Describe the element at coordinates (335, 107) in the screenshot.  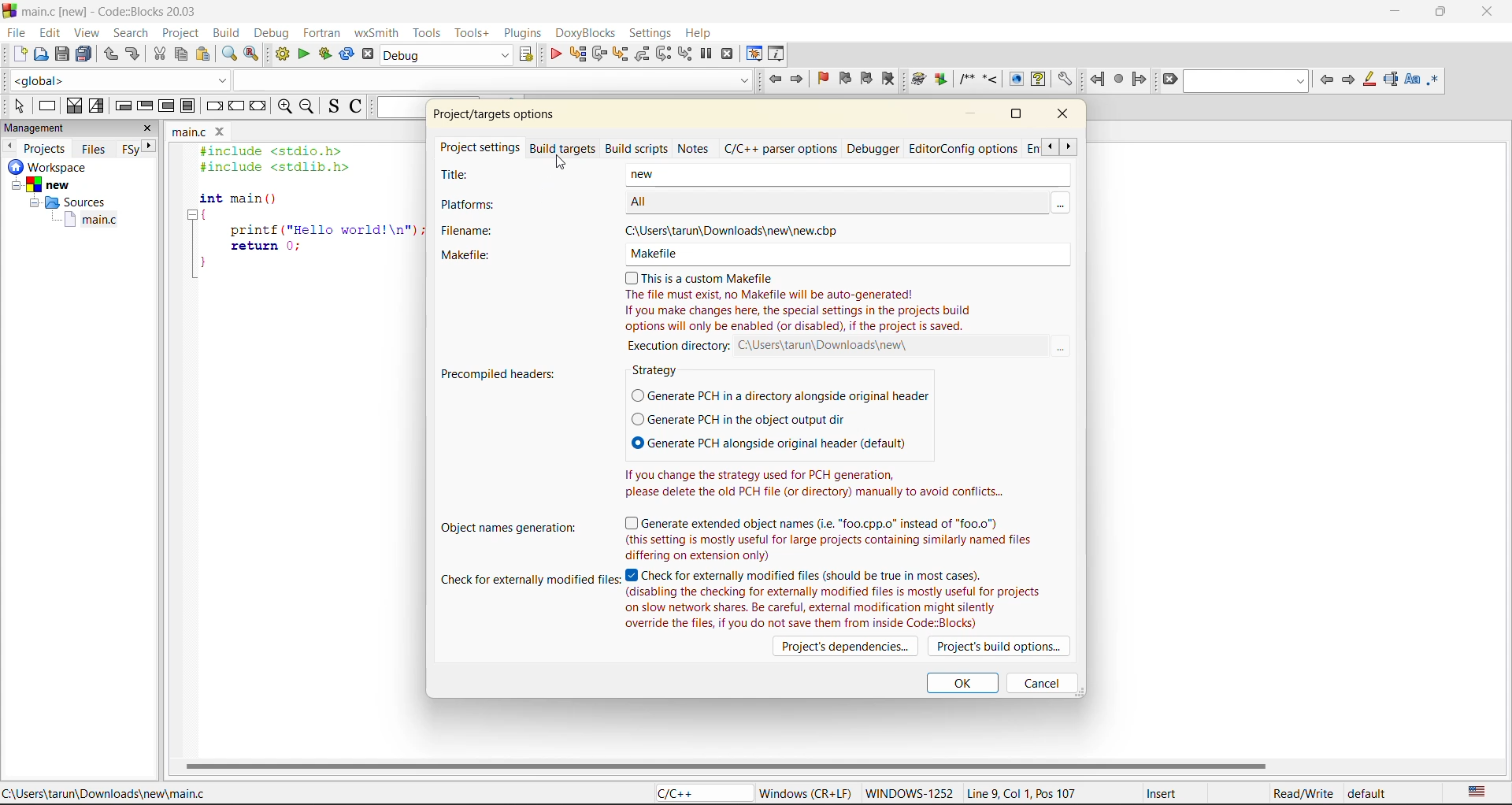
I see `toggle source` at that location.